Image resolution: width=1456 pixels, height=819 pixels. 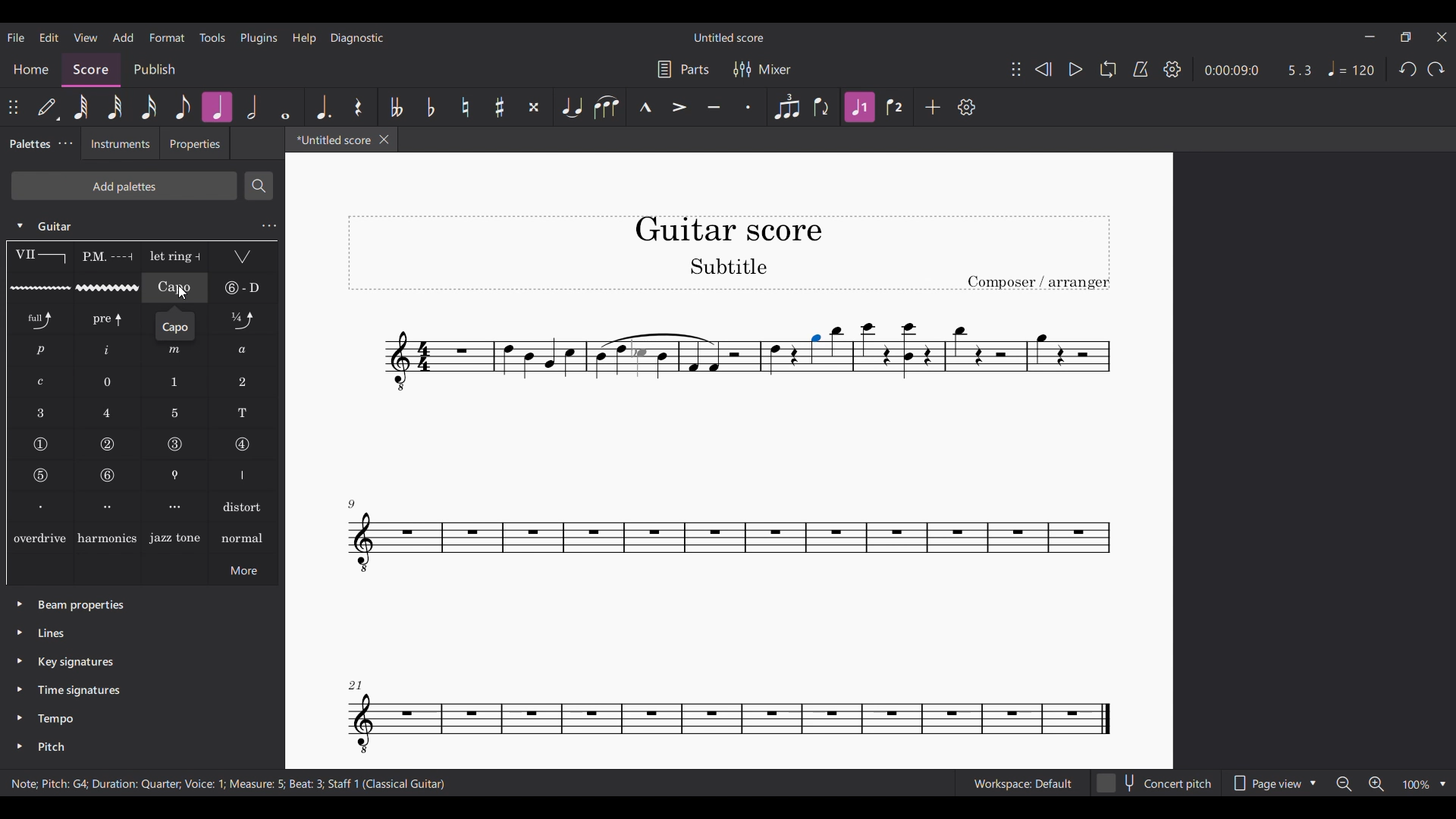 What do you see at coordinates (1108, 69) in the screenshot?
I see `Loop playback` at bounding box center [1108, 69].